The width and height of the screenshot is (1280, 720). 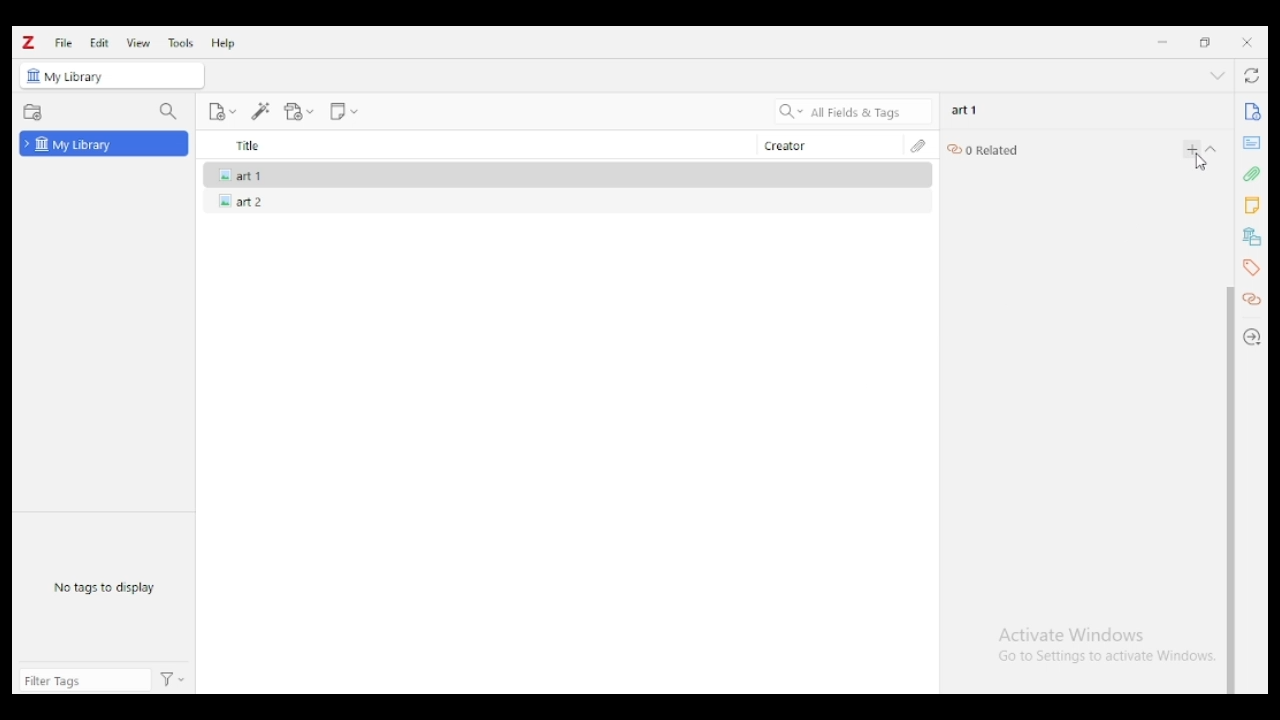 What do you see at coordinates (104, 143) in the screenshot?
I see `my library` at bounding box center [104, 143].